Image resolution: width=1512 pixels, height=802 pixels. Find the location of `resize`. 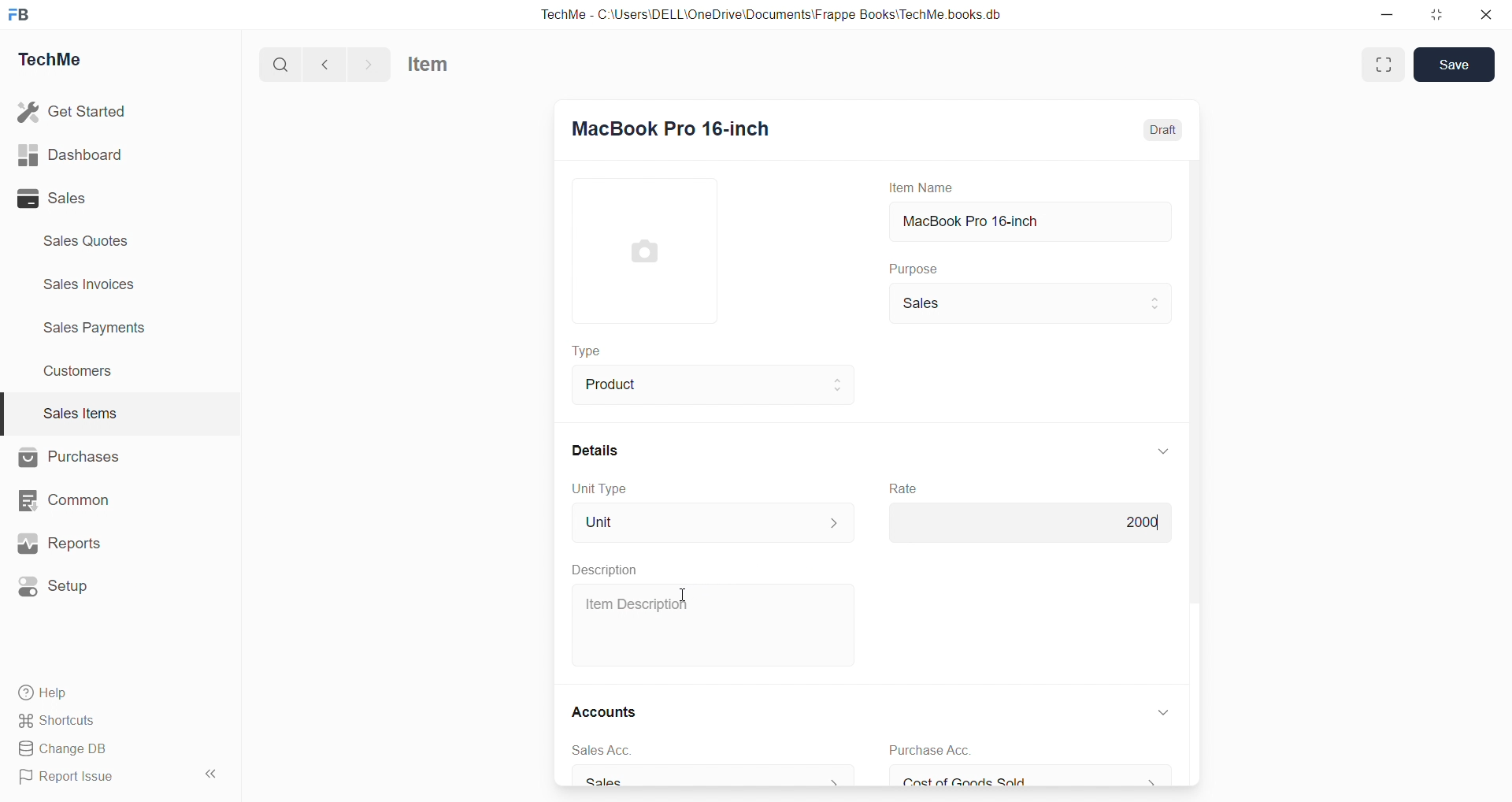

resize is located at coordinates (1436, 15).